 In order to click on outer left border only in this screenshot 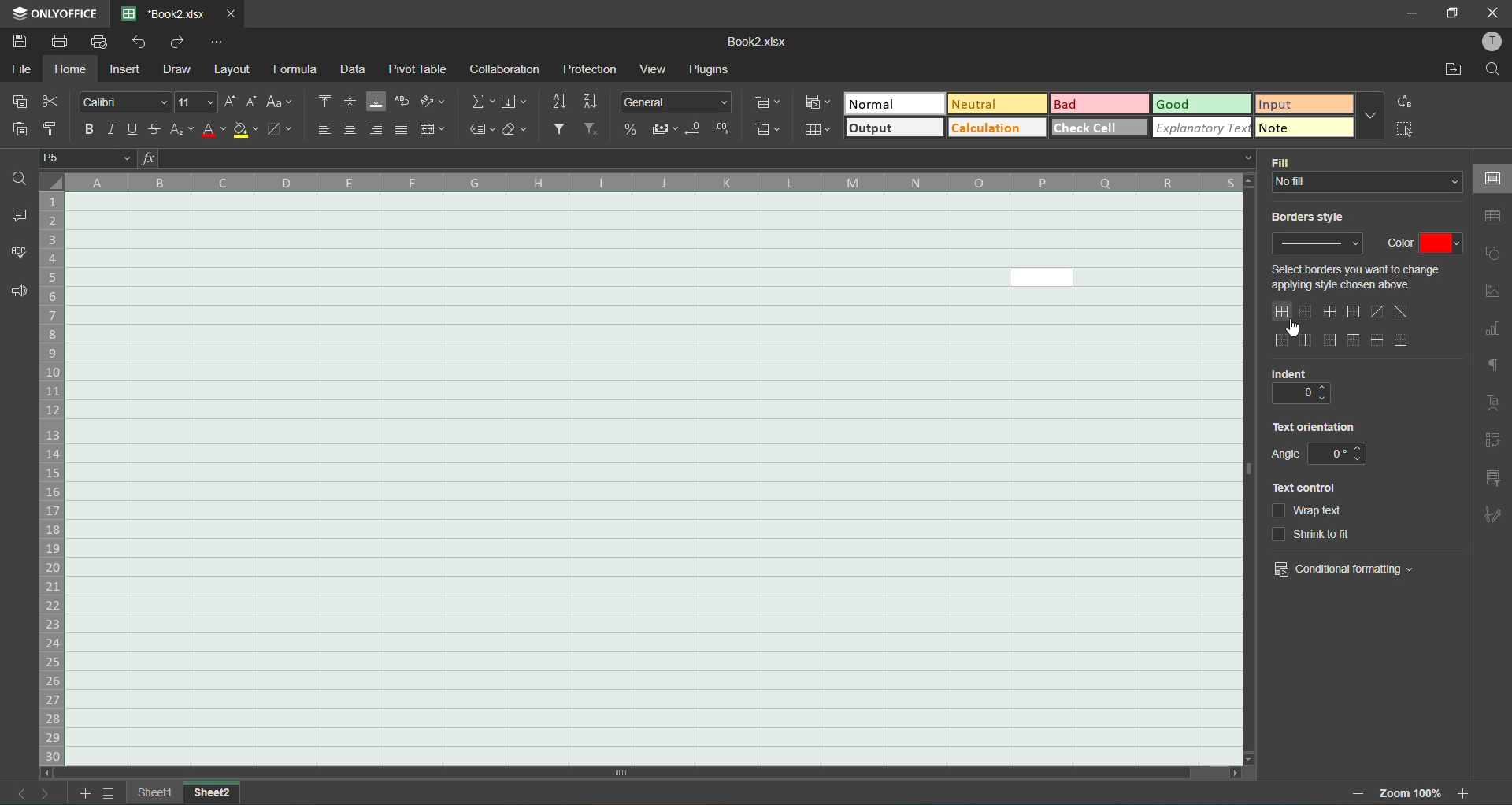, I will do `click(1284, 339)`.